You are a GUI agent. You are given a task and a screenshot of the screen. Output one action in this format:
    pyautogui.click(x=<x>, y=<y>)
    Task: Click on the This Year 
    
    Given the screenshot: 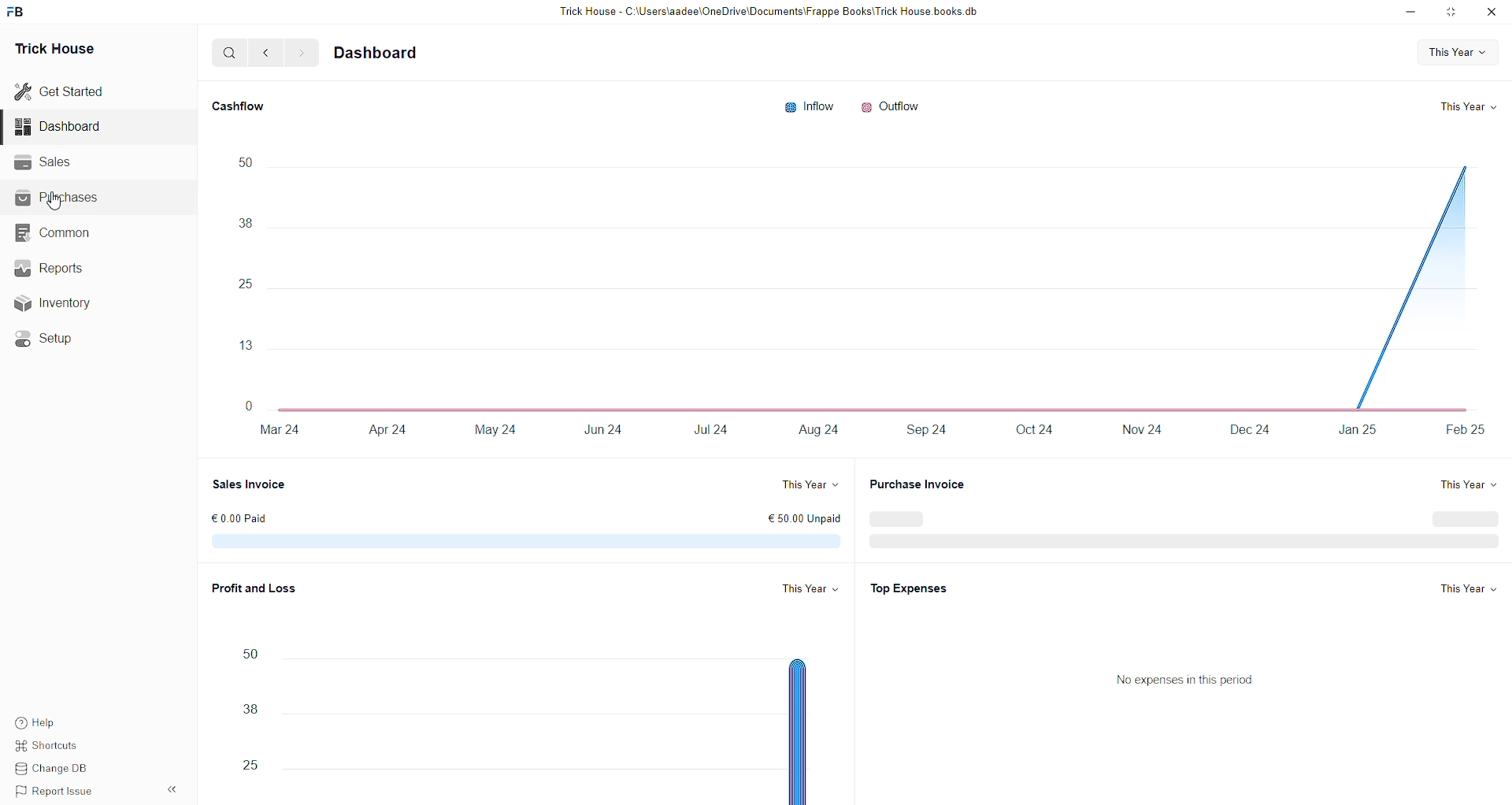 What is the action you would take?
    pyautogui.click(x=811, y=584)
    